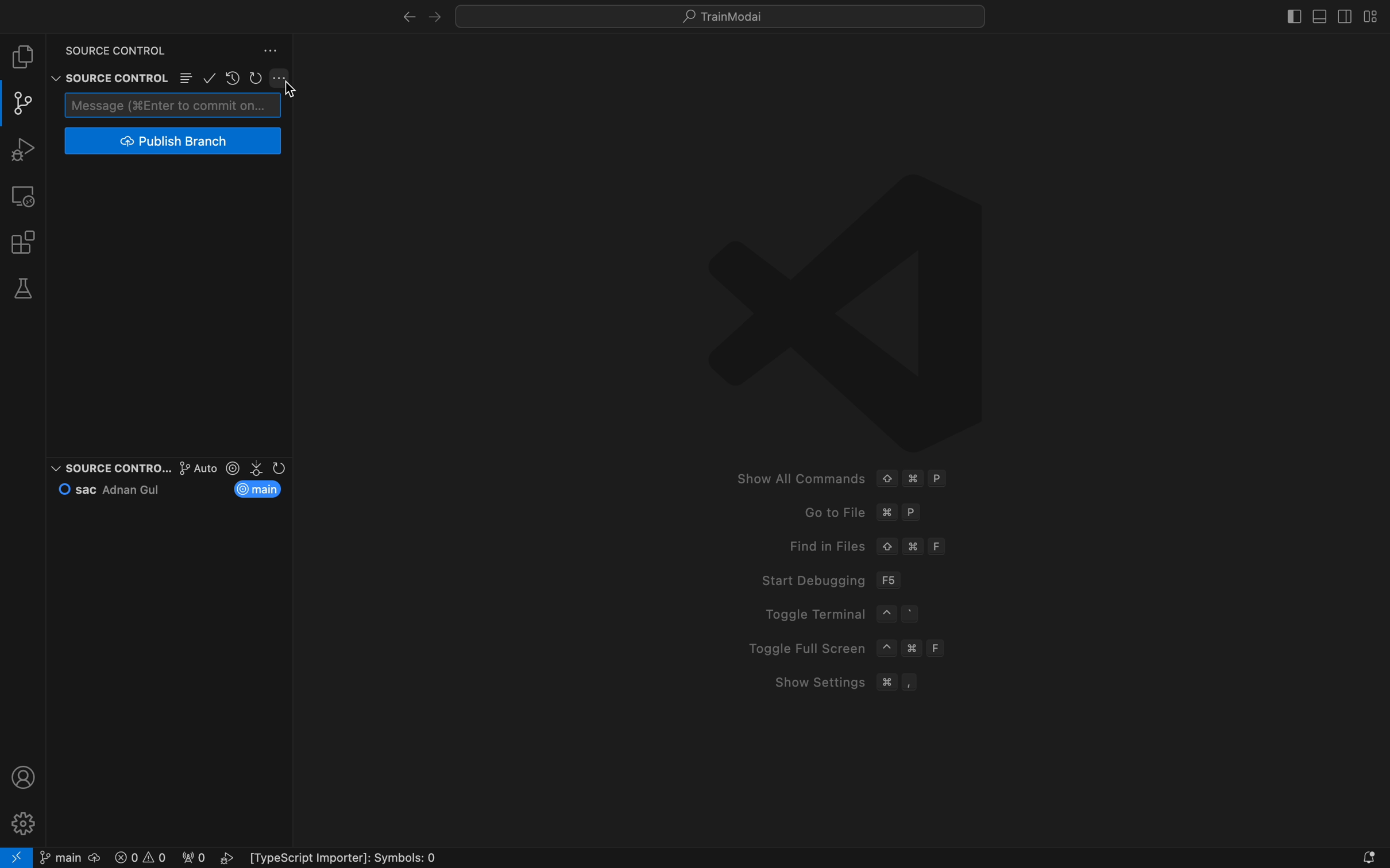 The width and height of the screenshot is (1390, 868). What do you see at coordinates (210, 77) in the screenshot?
I see `ok` at bounding box center [210, 77].